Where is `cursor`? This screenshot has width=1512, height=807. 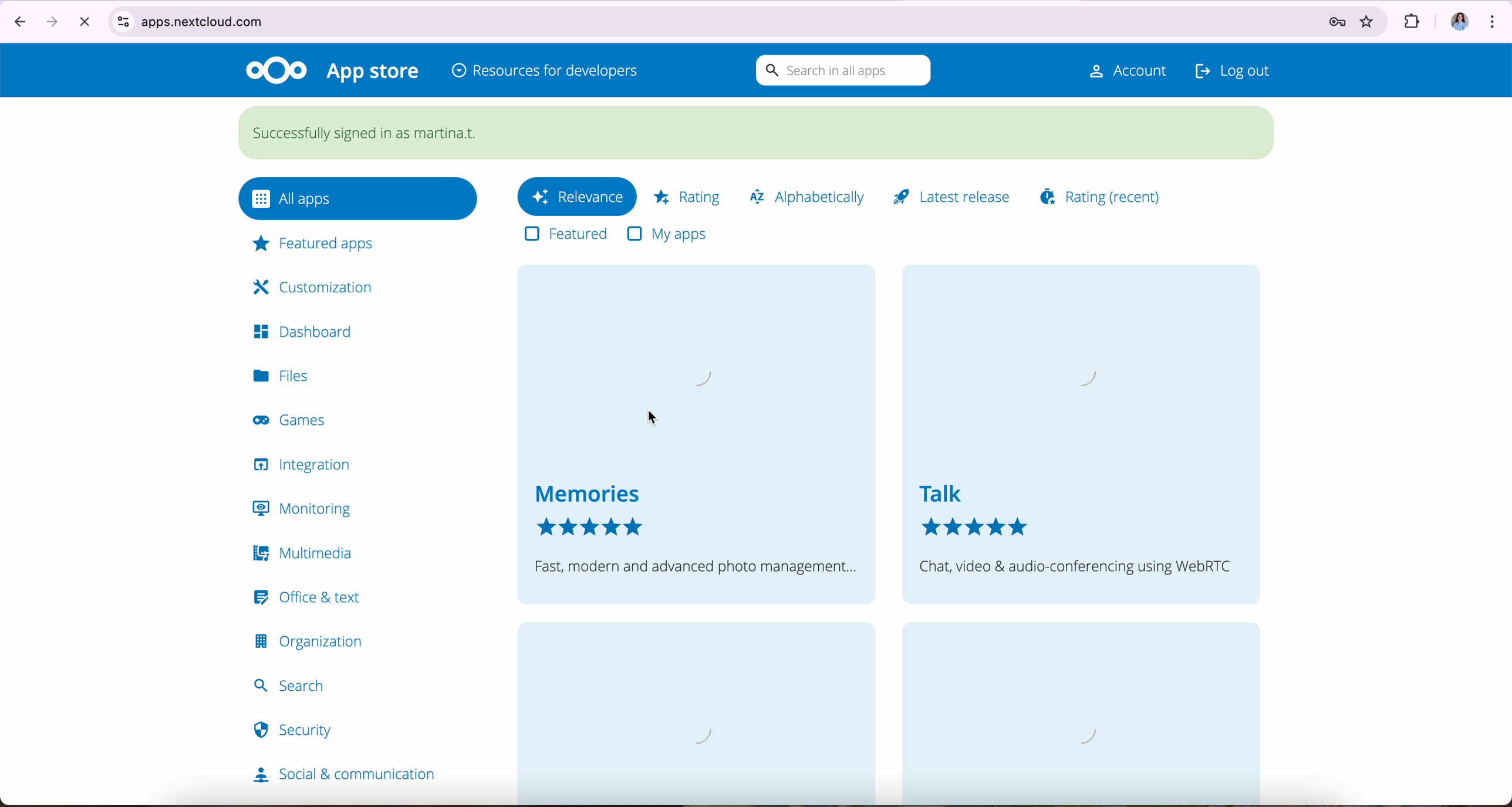 cursor is located at coordinates (656, 418).